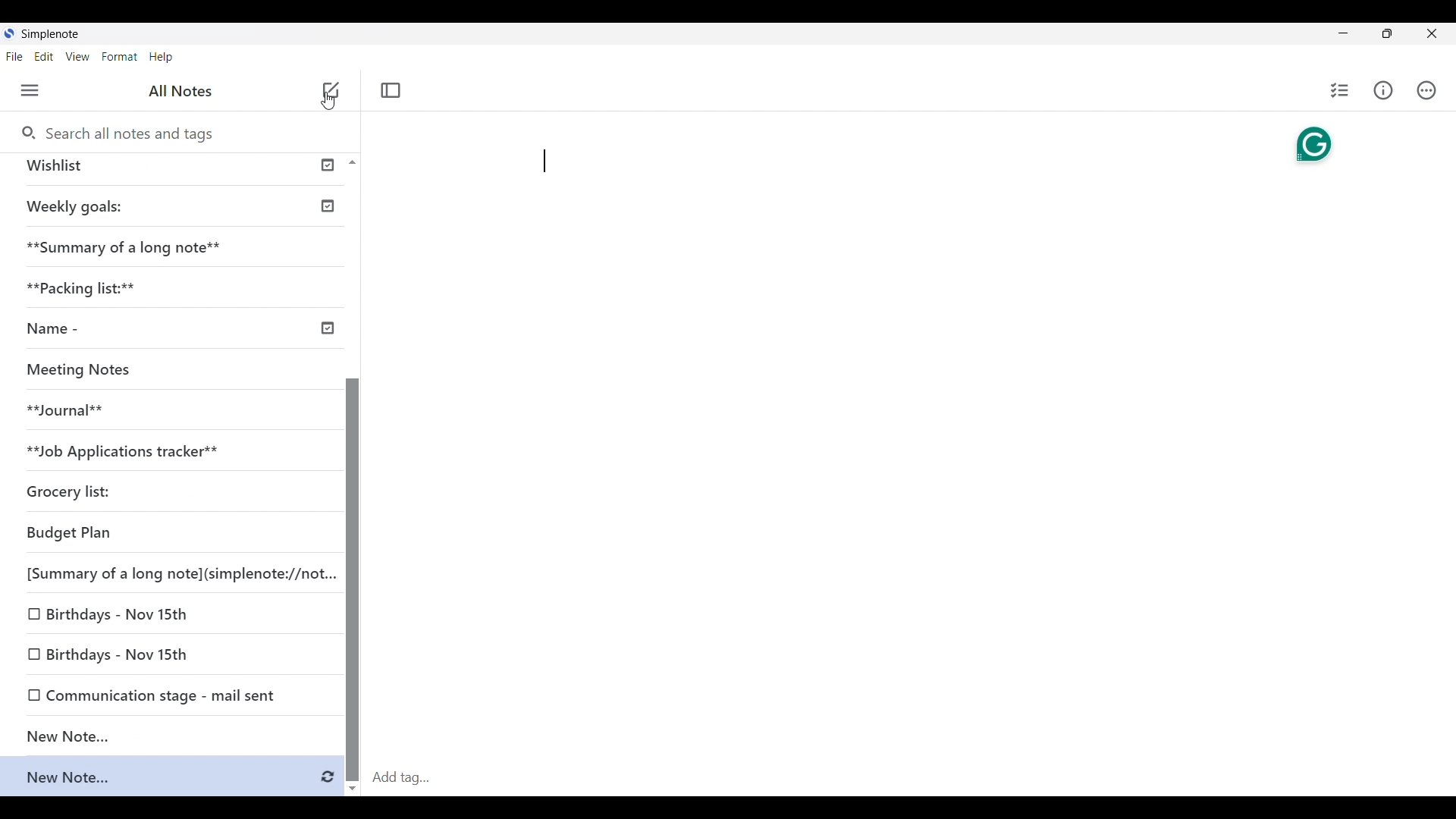 The height and width of the screenshot is (819, 1456). What do you see at coordinates (33, 617) in the screenshot?
I see `Checkbox` at bounding box center [33, 617].